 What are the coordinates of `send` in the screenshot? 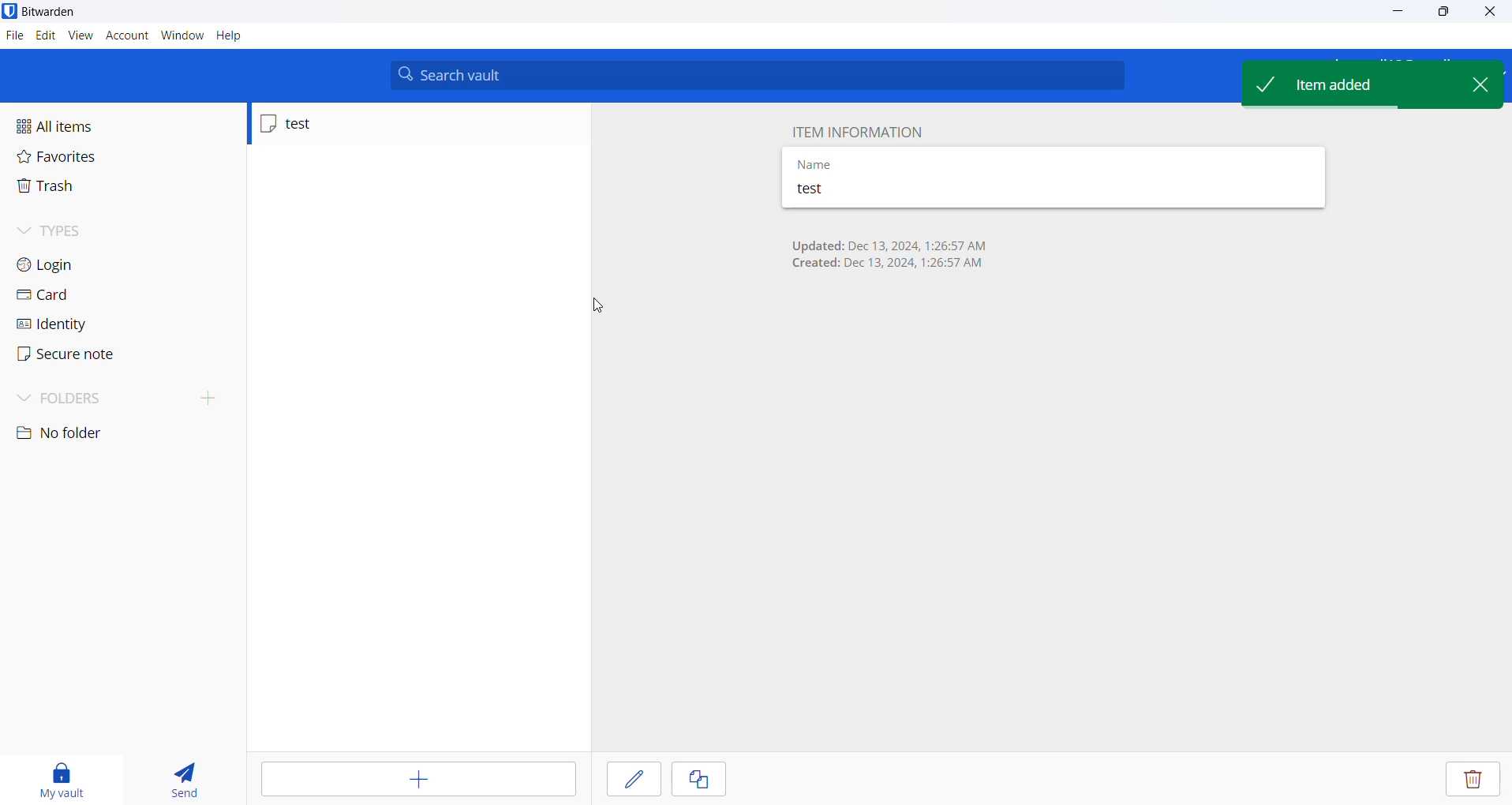 It's located at (183, 776).